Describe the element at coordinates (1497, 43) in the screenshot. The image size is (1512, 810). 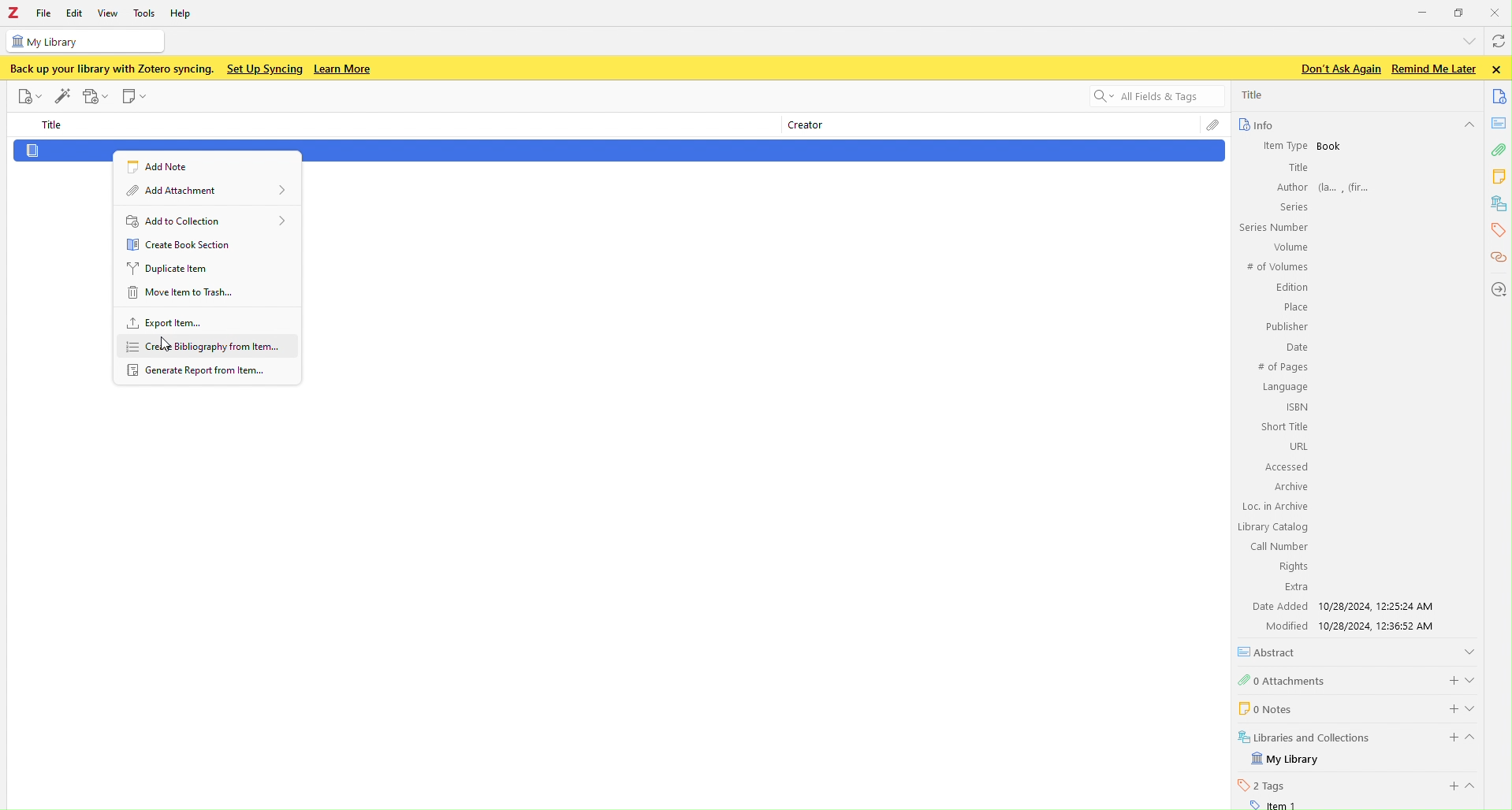
I see `refresh ` at that location.